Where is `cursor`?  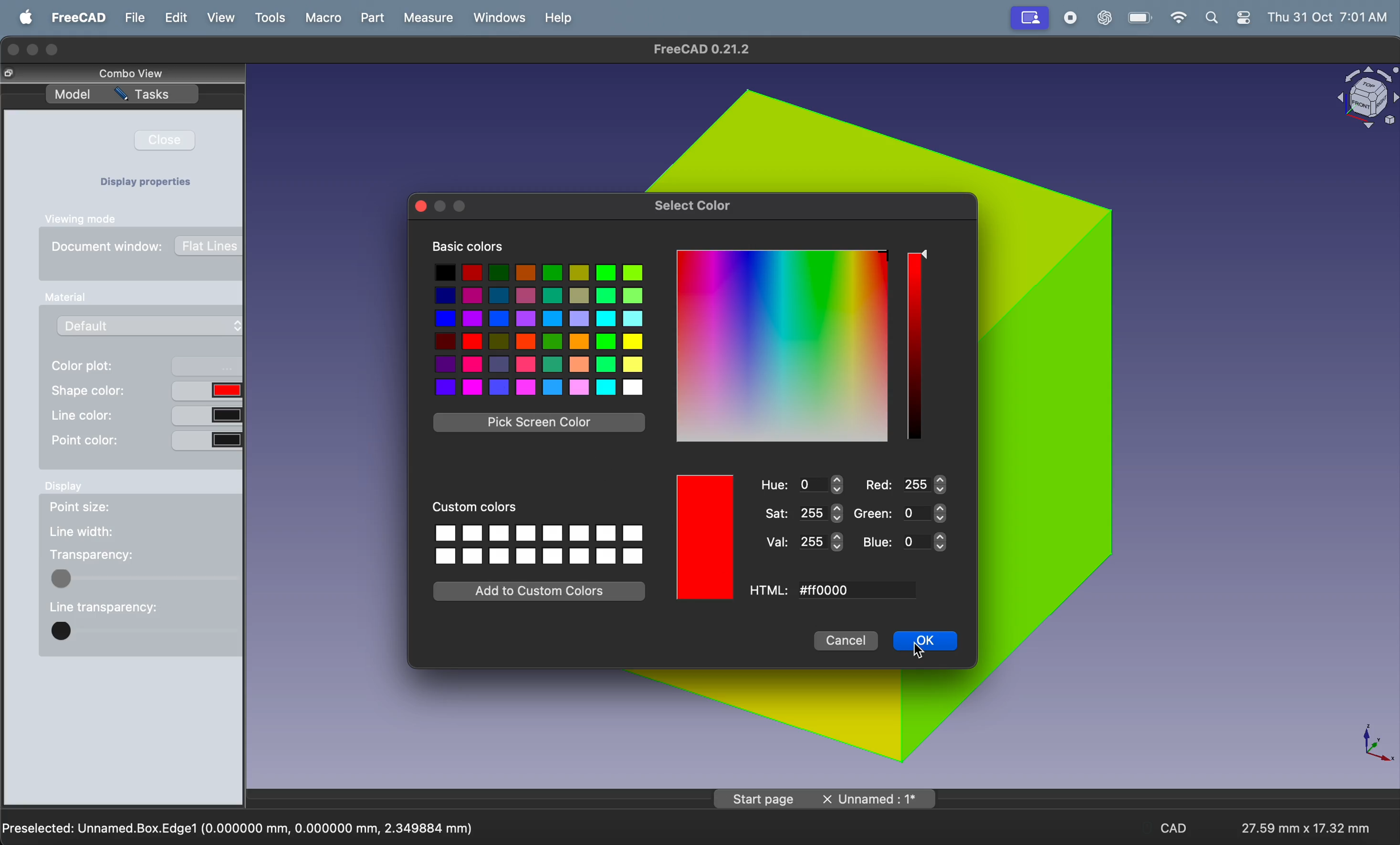 cursor is located at coordinates (922, 652).